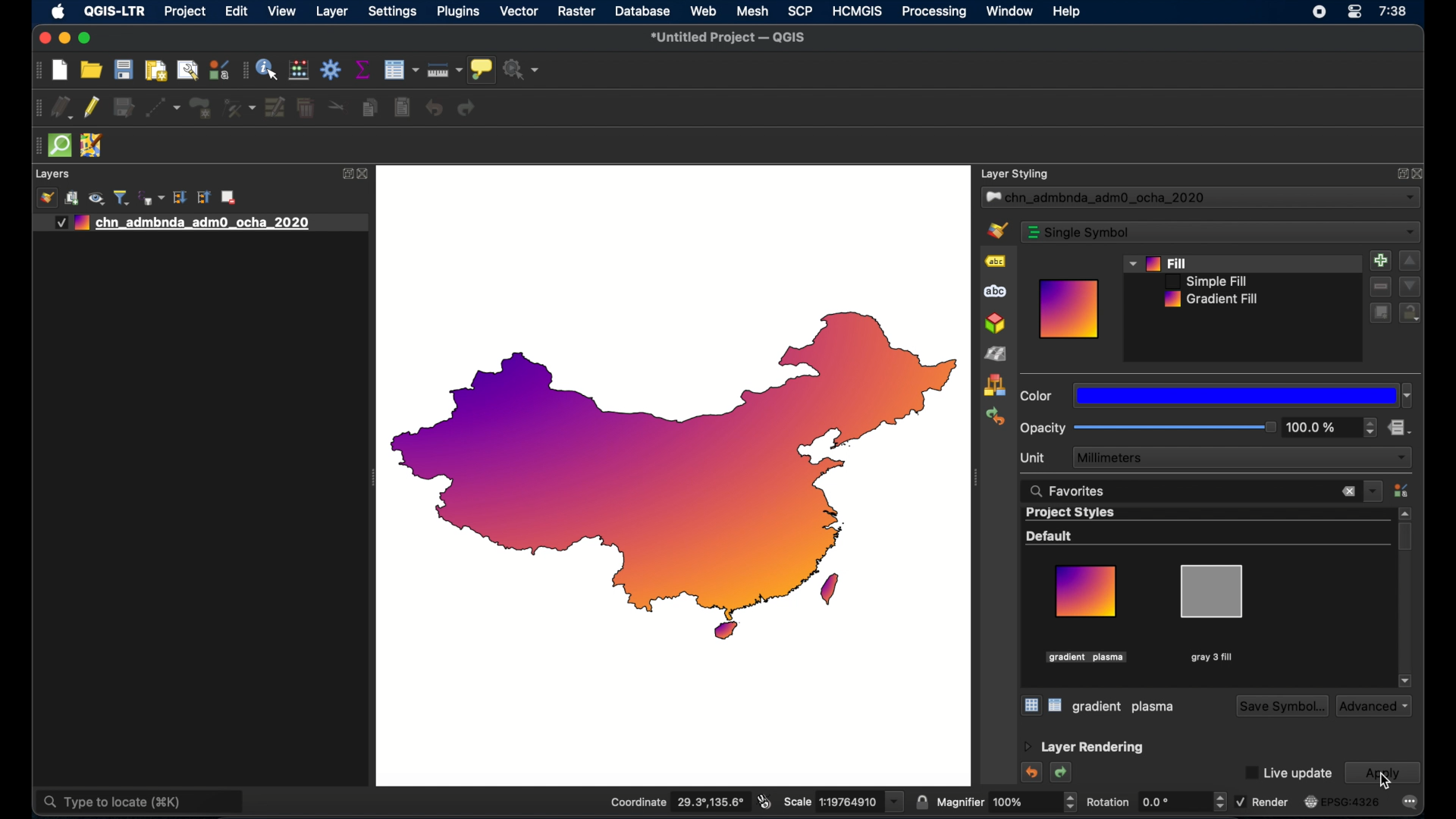 Image resolution: width=1456 pixels, height=819 pixels. Describe the element at coordinates (1410, 314) in the screenshot. I see `lock` at that location.